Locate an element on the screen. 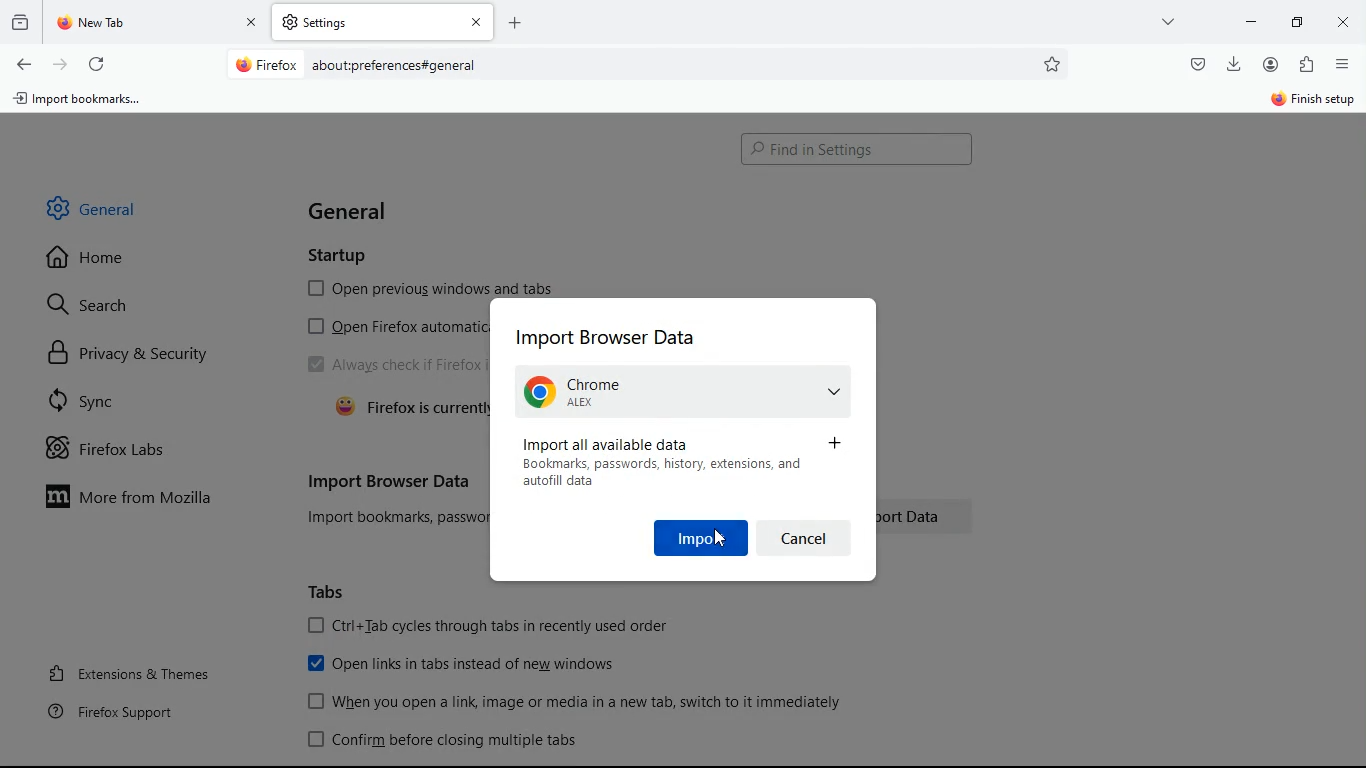  search is located at coordinates (93, 307).